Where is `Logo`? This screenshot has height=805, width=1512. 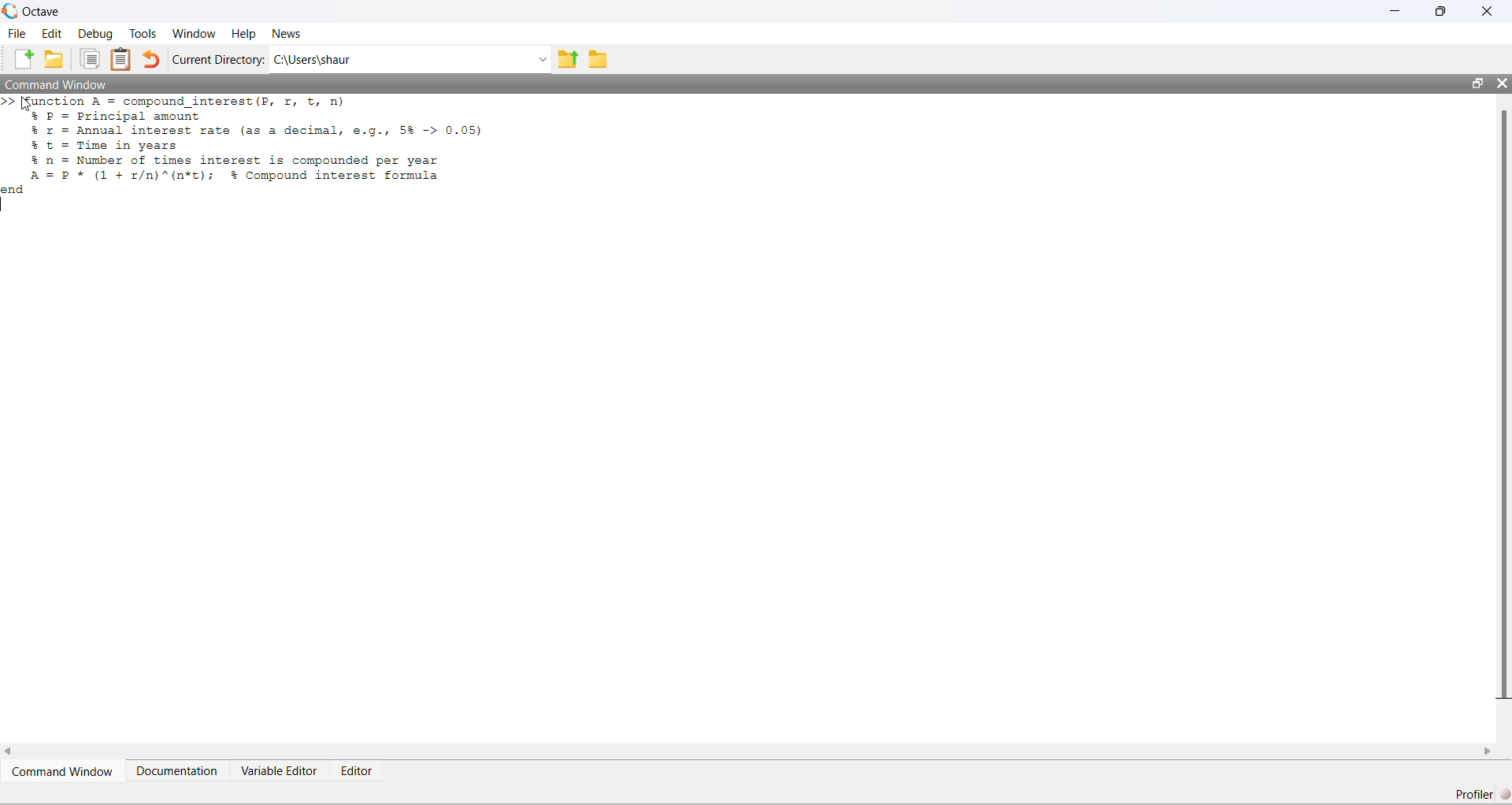
Logo is located at coordinates (10, 10).